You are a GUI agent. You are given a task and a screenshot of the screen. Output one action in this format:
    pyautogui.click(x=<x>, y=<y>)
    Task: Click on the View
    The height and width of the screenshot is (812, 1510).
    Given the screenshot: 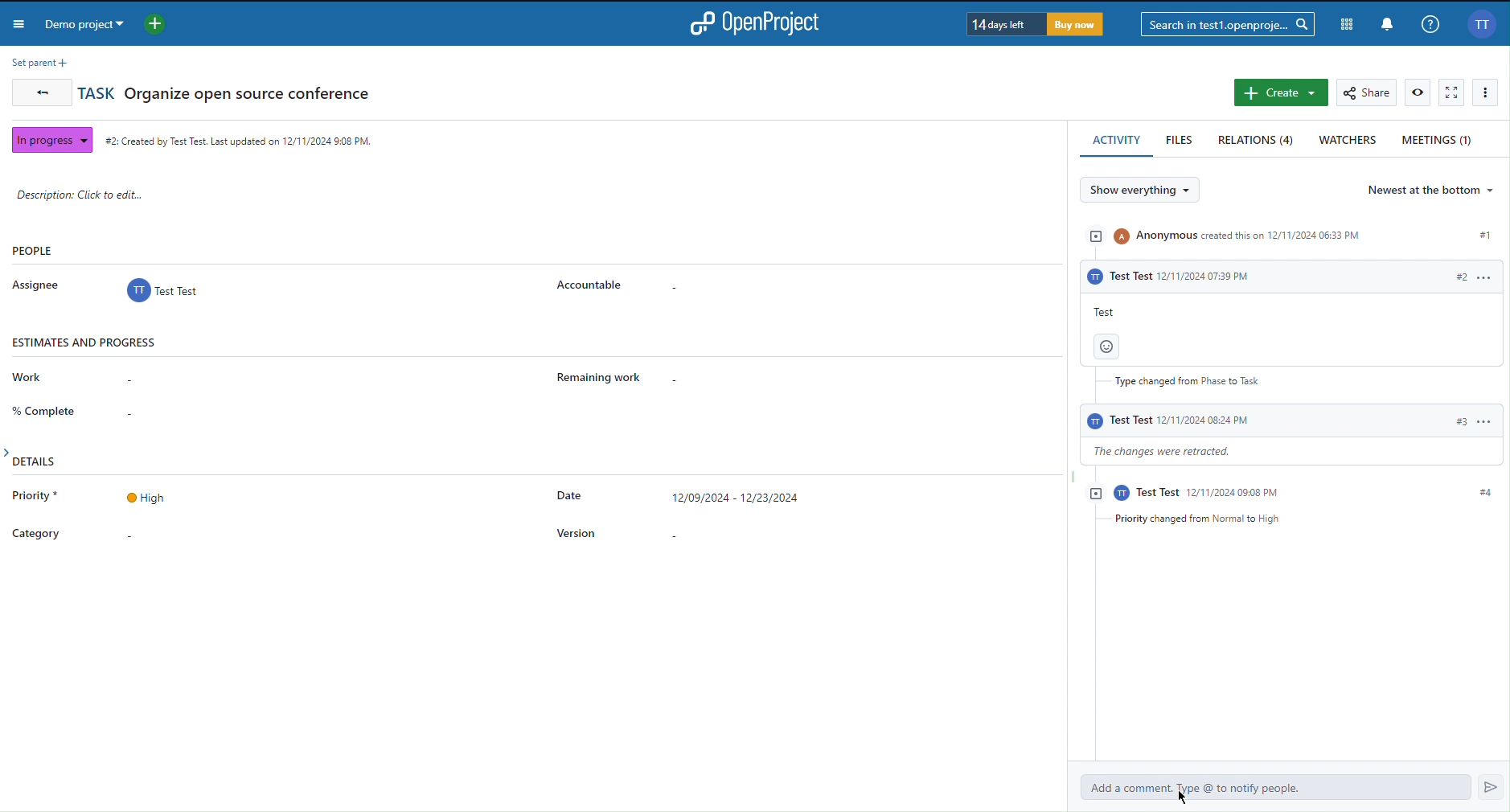 What is the action you would take?
    pyautogui.click(x=1418, y=92)
    